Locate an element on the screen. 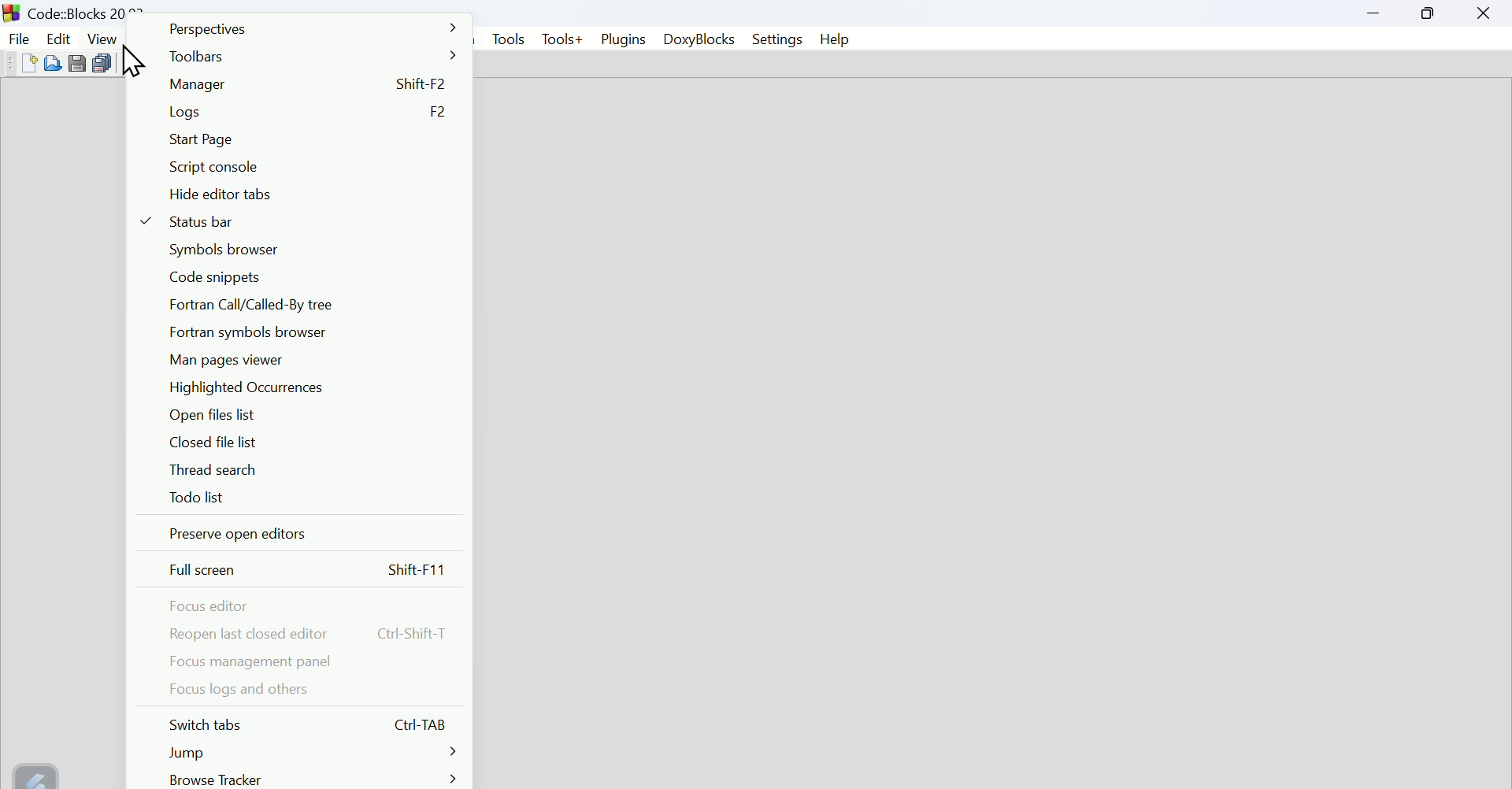  Save multiple file is located at coordinates (103, 62).